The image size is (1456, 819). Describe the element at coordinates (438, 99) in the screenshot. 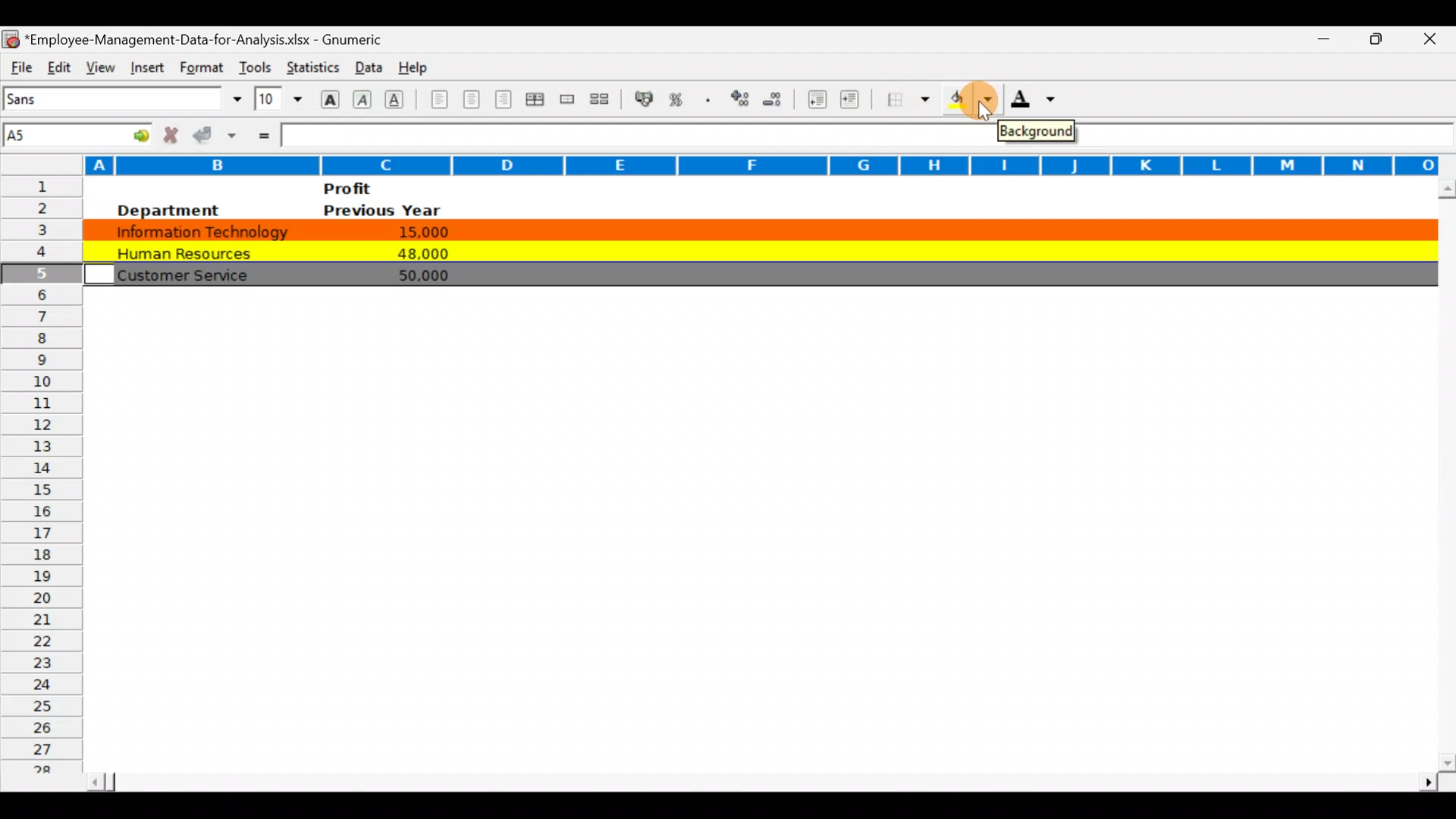

I see `Align left` at that location.